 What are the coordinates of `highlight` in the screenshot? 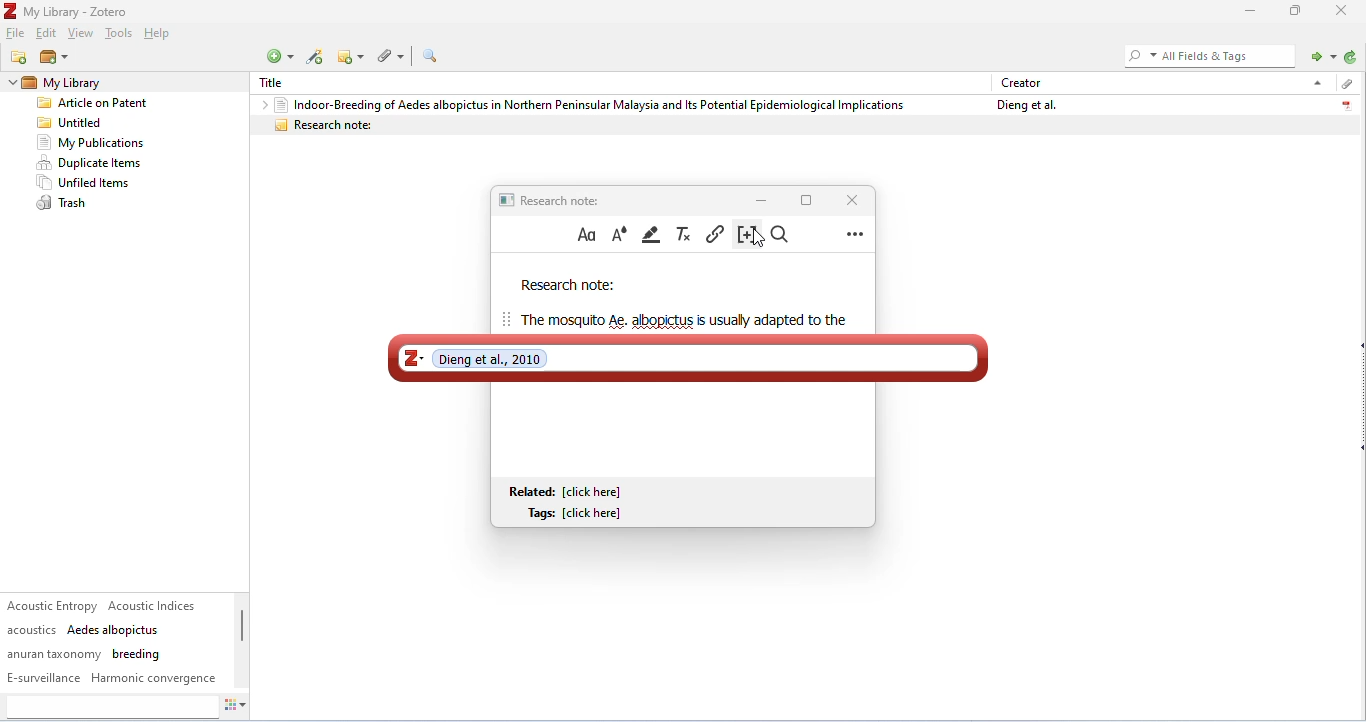 It's located at (653, 234).